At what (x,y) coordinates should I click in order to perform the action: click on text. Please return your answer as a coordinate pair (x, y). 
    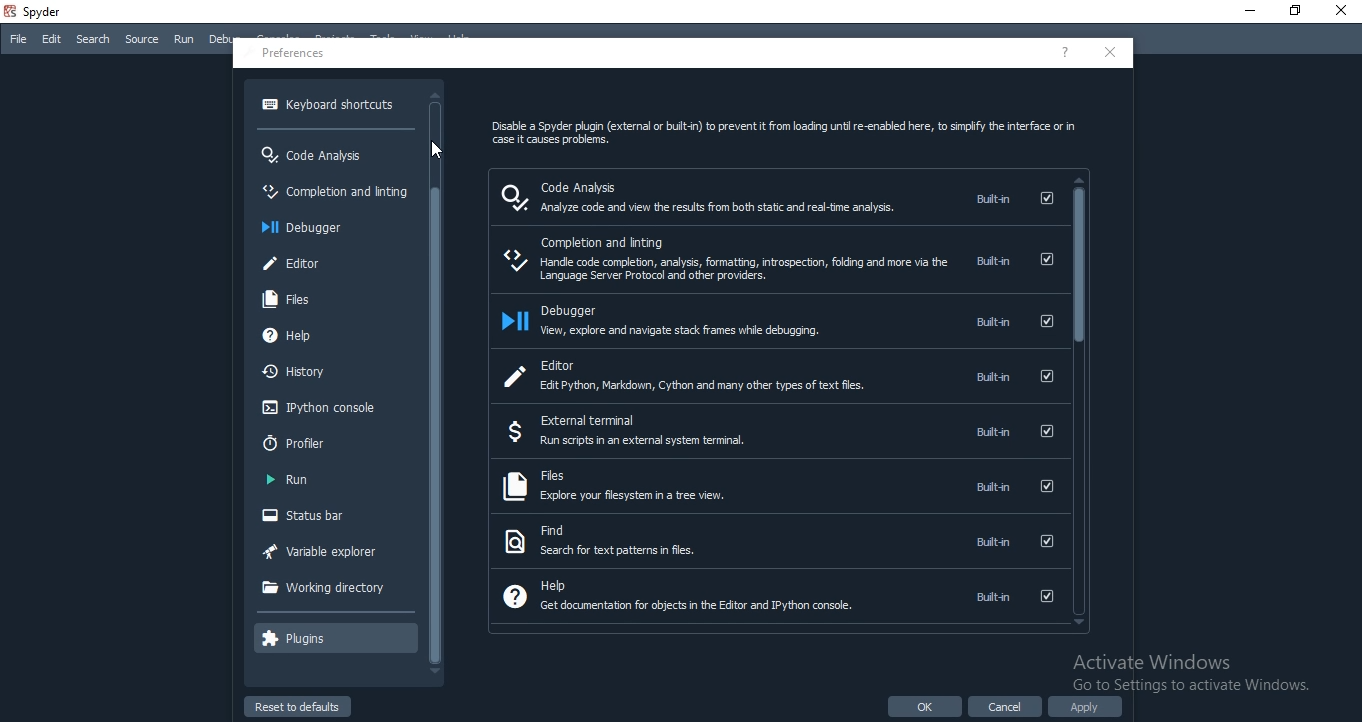
    Looking at the image, I should click on (991, 485).